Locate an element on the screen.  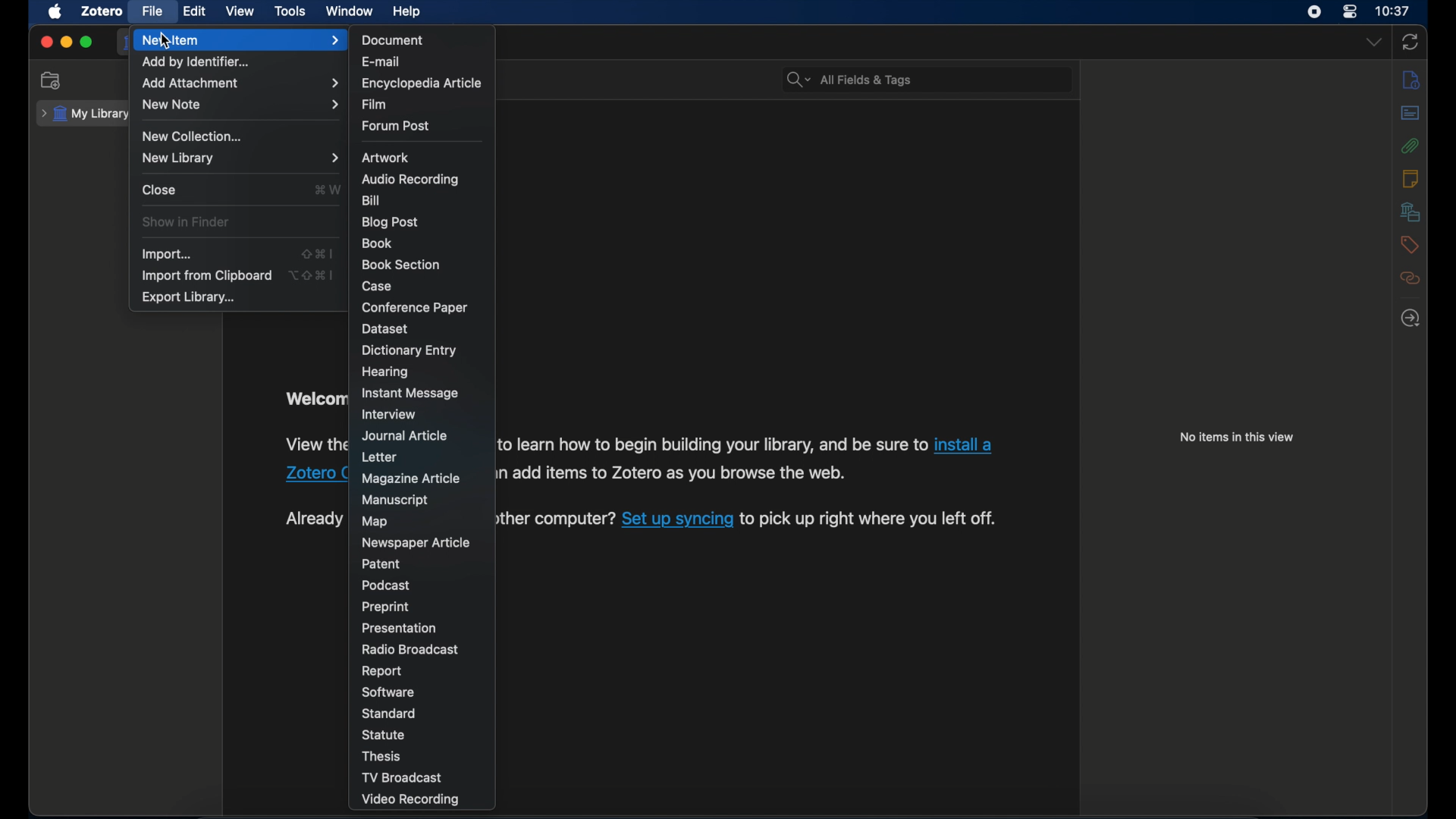
shortcut is located at coordinates (312, 276).